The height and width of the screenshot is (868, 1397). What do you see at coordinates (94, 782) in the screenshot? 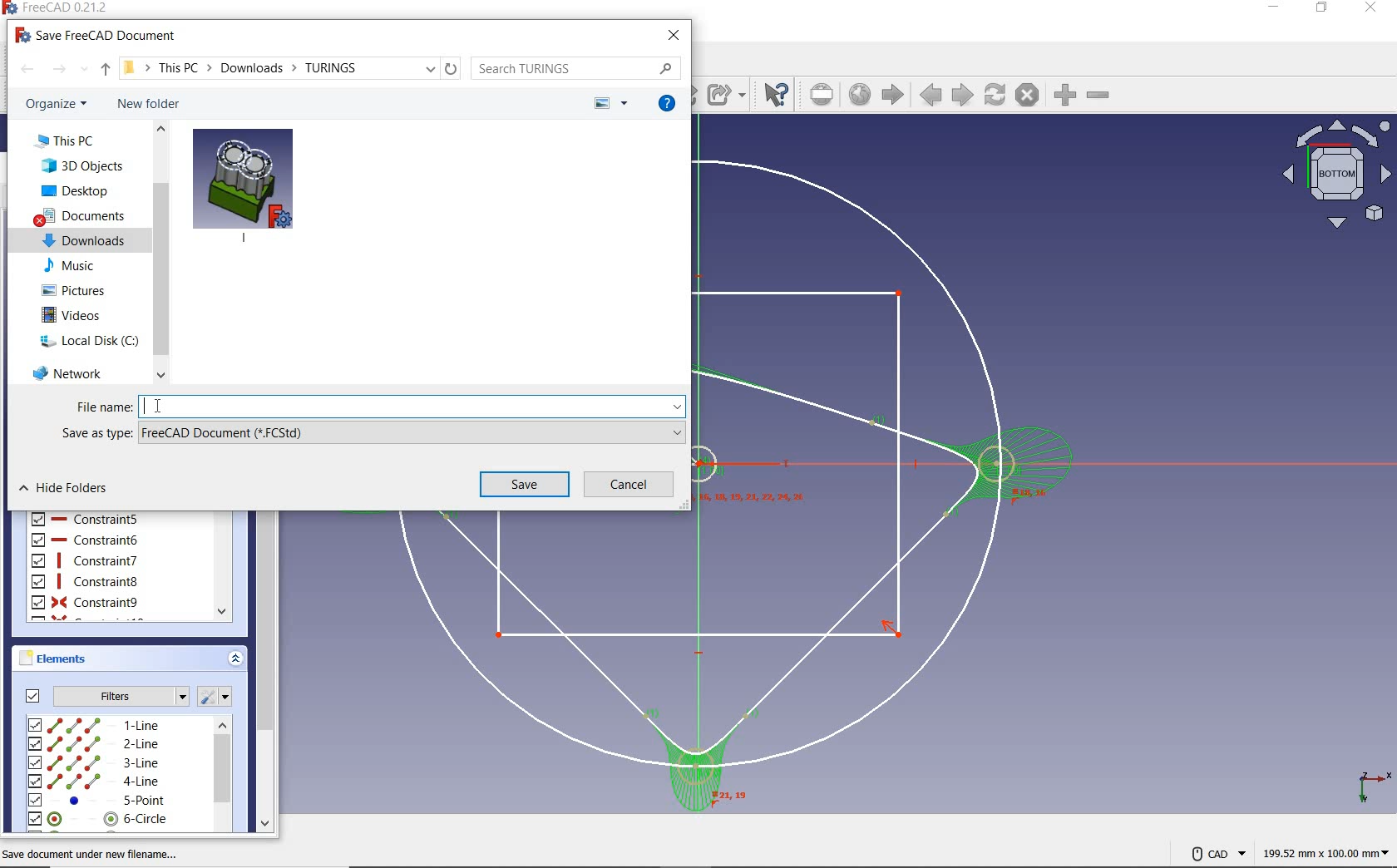
I see `4-line` at bounding box center [94, 782].